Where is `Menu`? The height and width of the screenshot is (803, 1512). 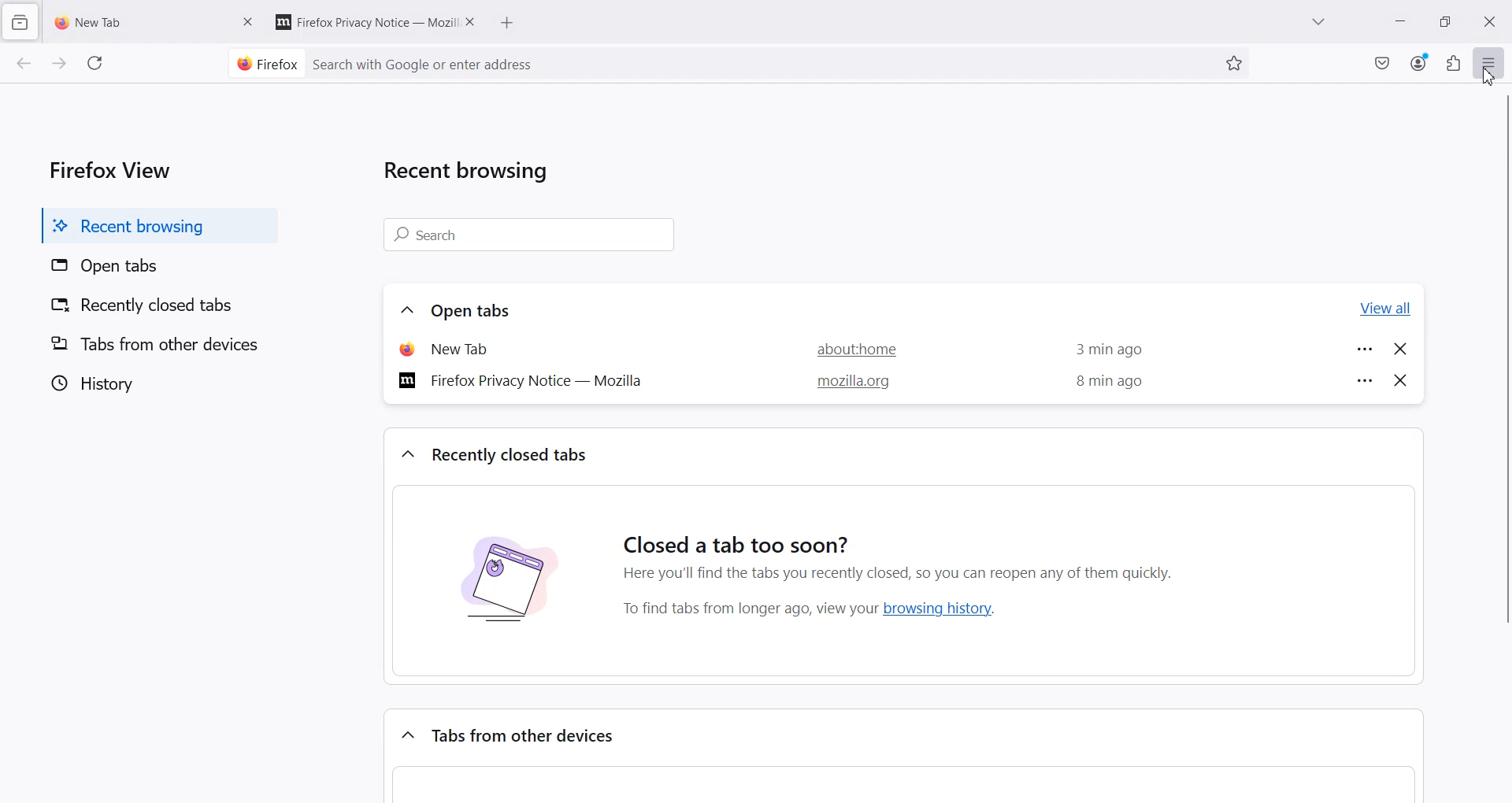
Menu is located at coordinates (1489, 62).